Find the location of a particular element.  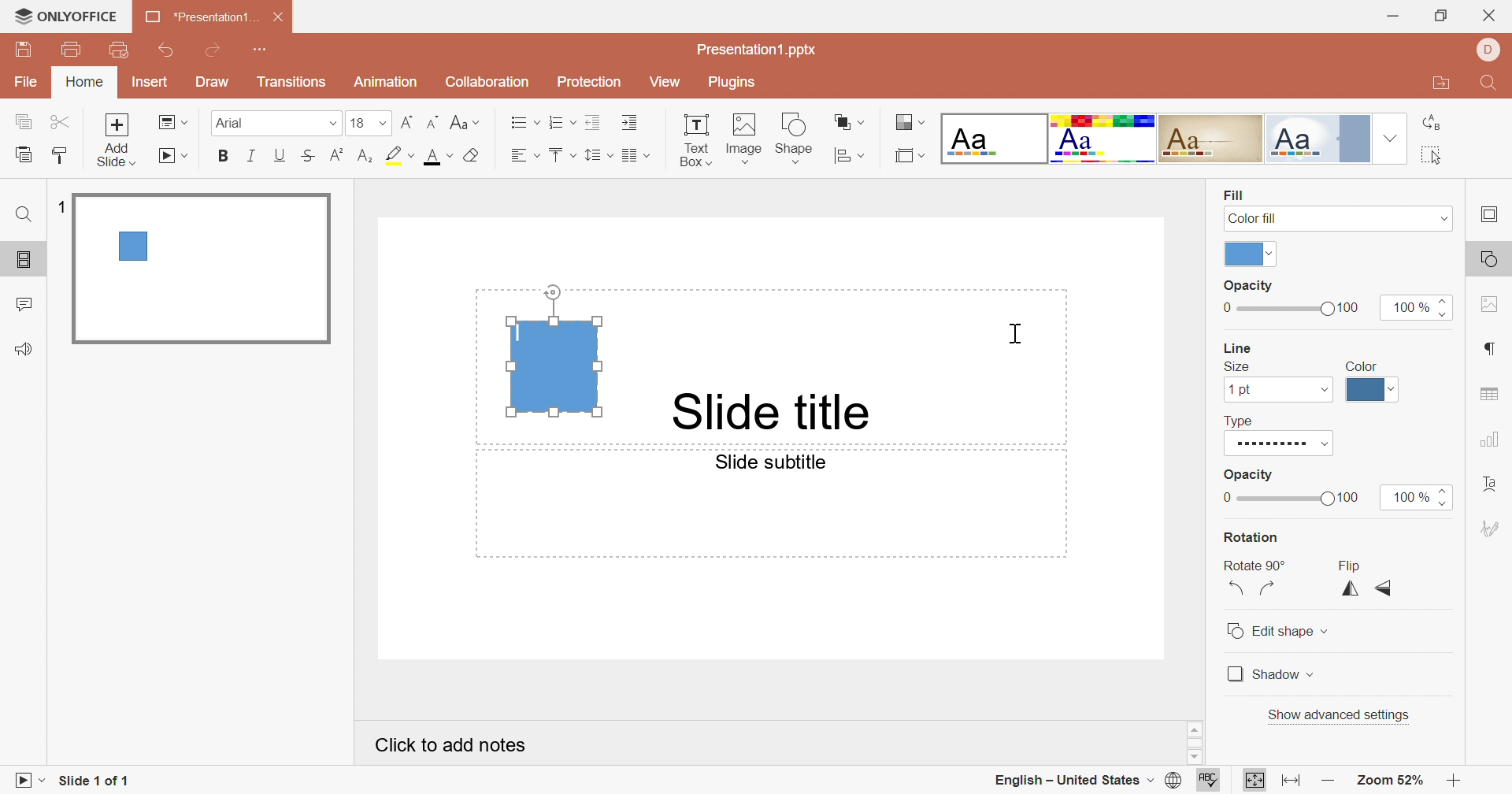

Cut is located at coordinates (63, 123).